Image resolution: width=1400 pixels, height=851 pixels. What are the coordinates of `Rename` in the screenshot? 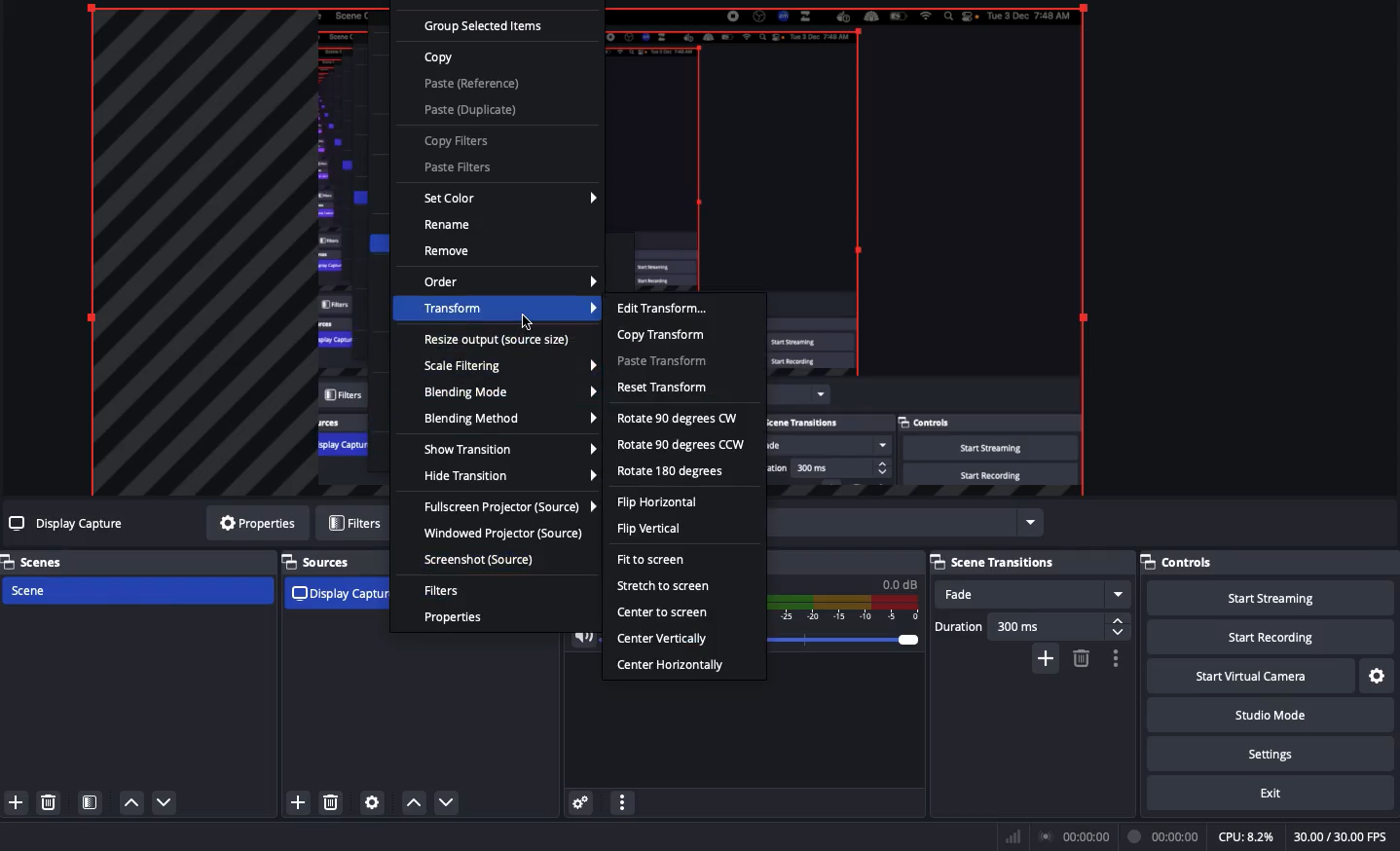 It's located at (452, 225).